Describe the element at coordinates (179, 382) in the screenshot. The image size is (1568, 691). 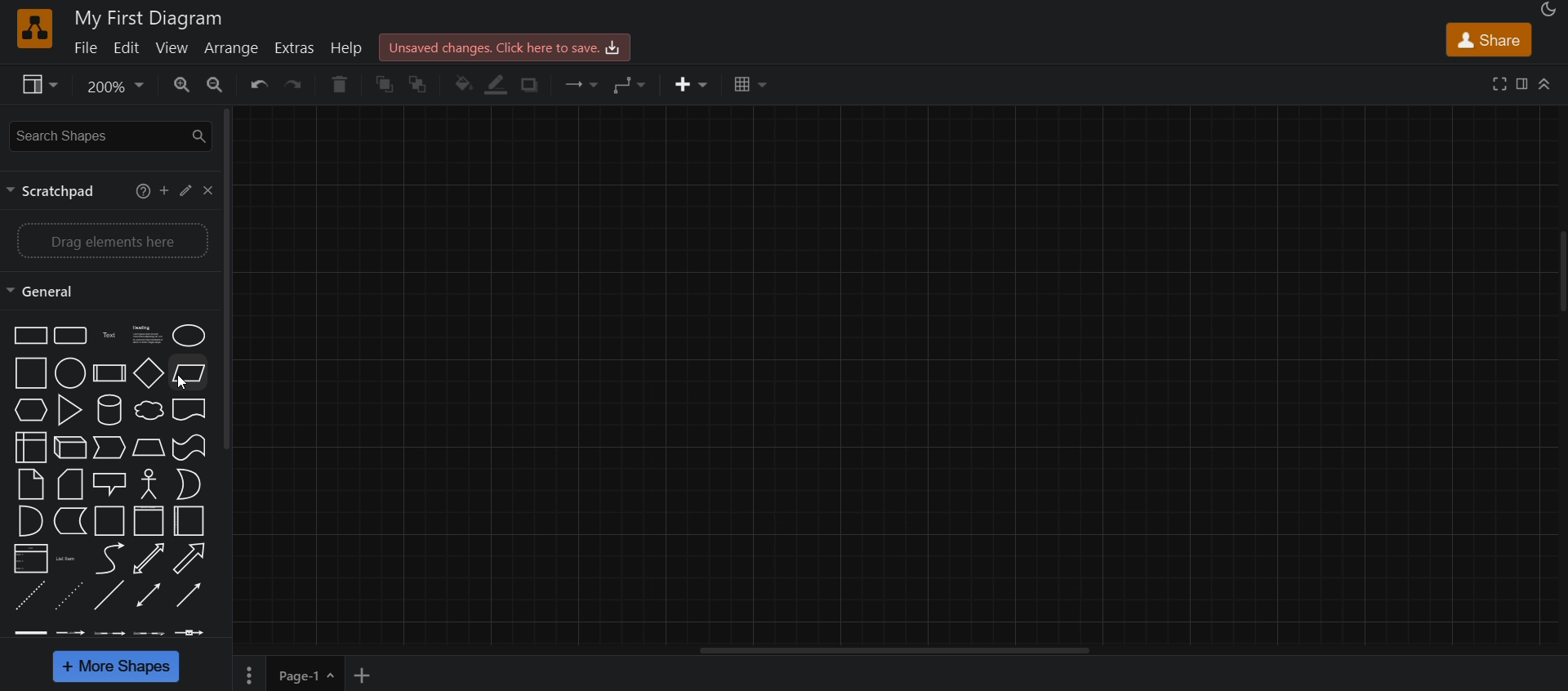
I see `cursor` at that location.